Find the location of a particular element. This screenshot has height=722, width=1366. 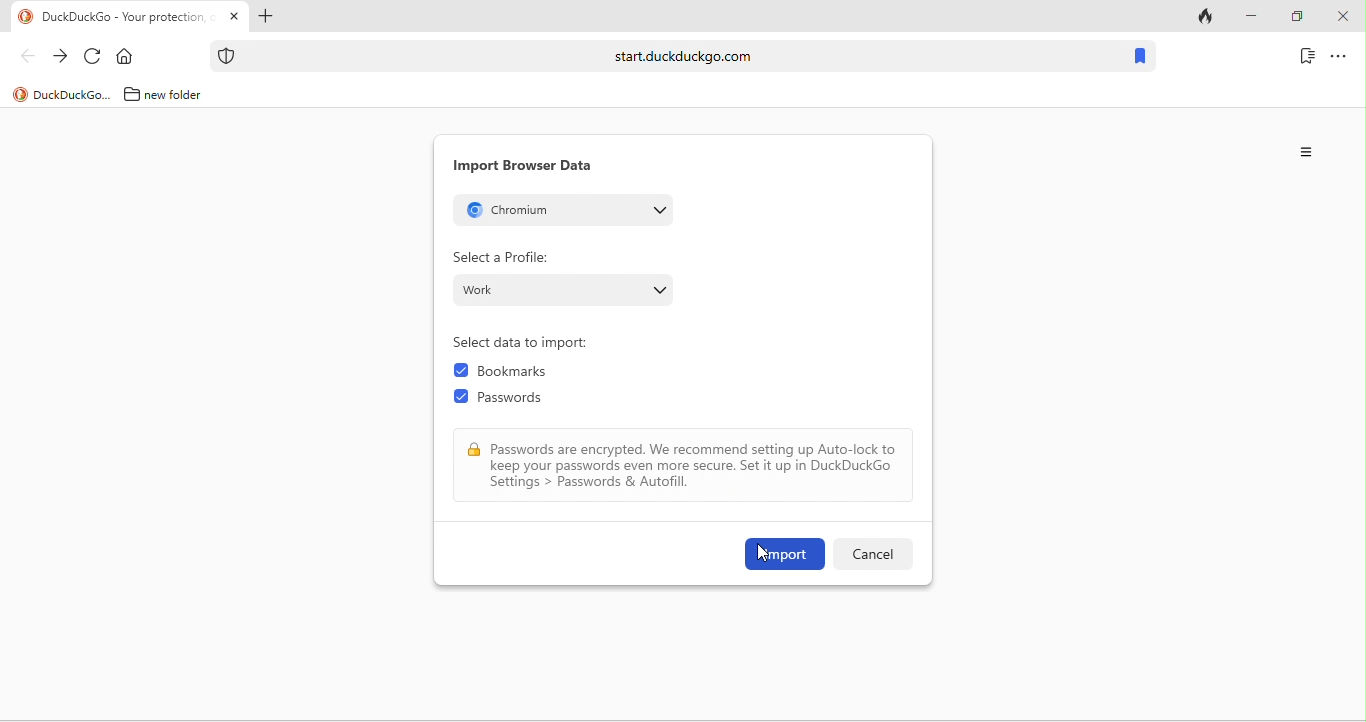

checked checkbox is located at coordinates (461, 397).